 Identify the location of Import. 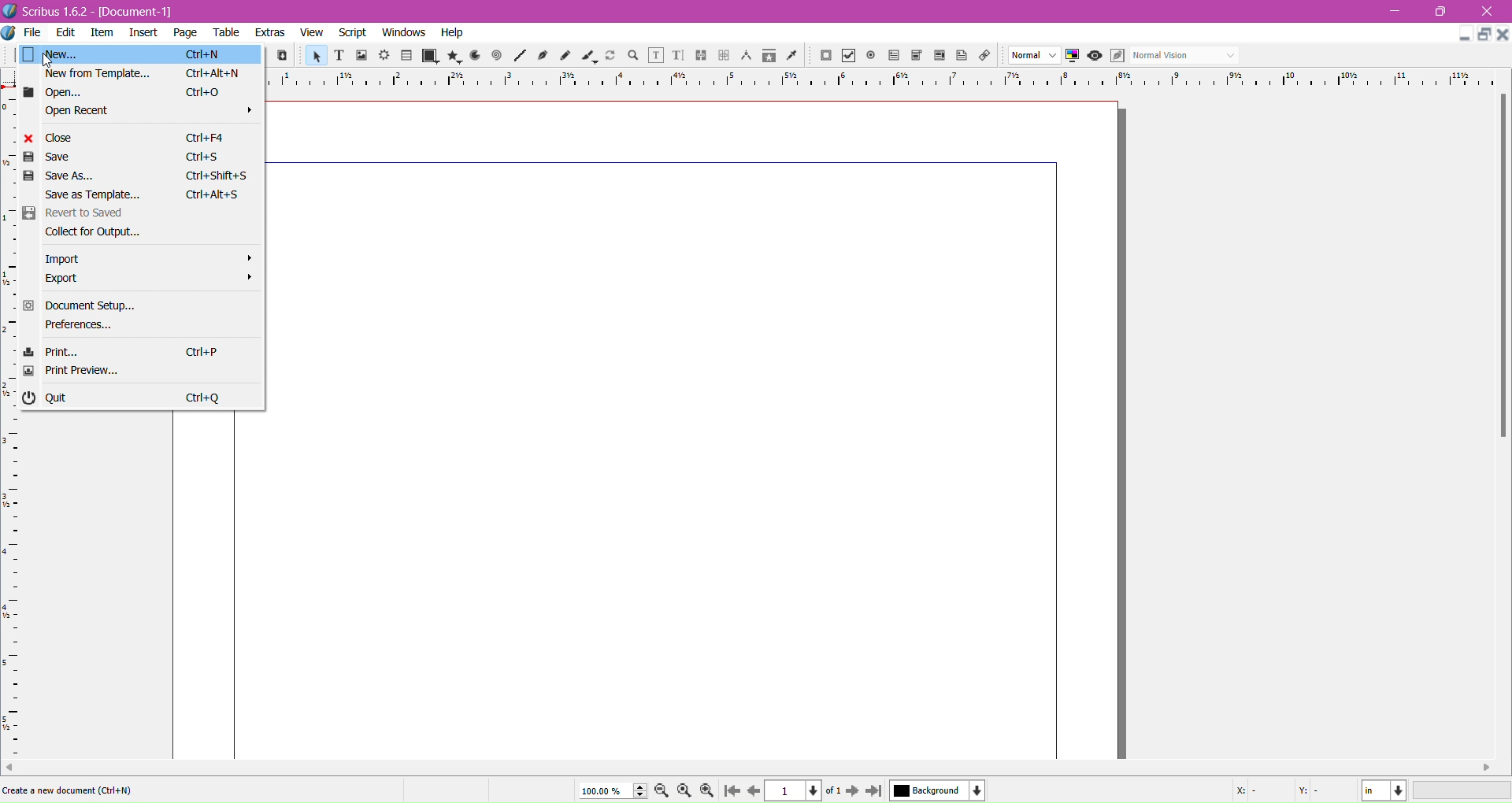
(138, 258).